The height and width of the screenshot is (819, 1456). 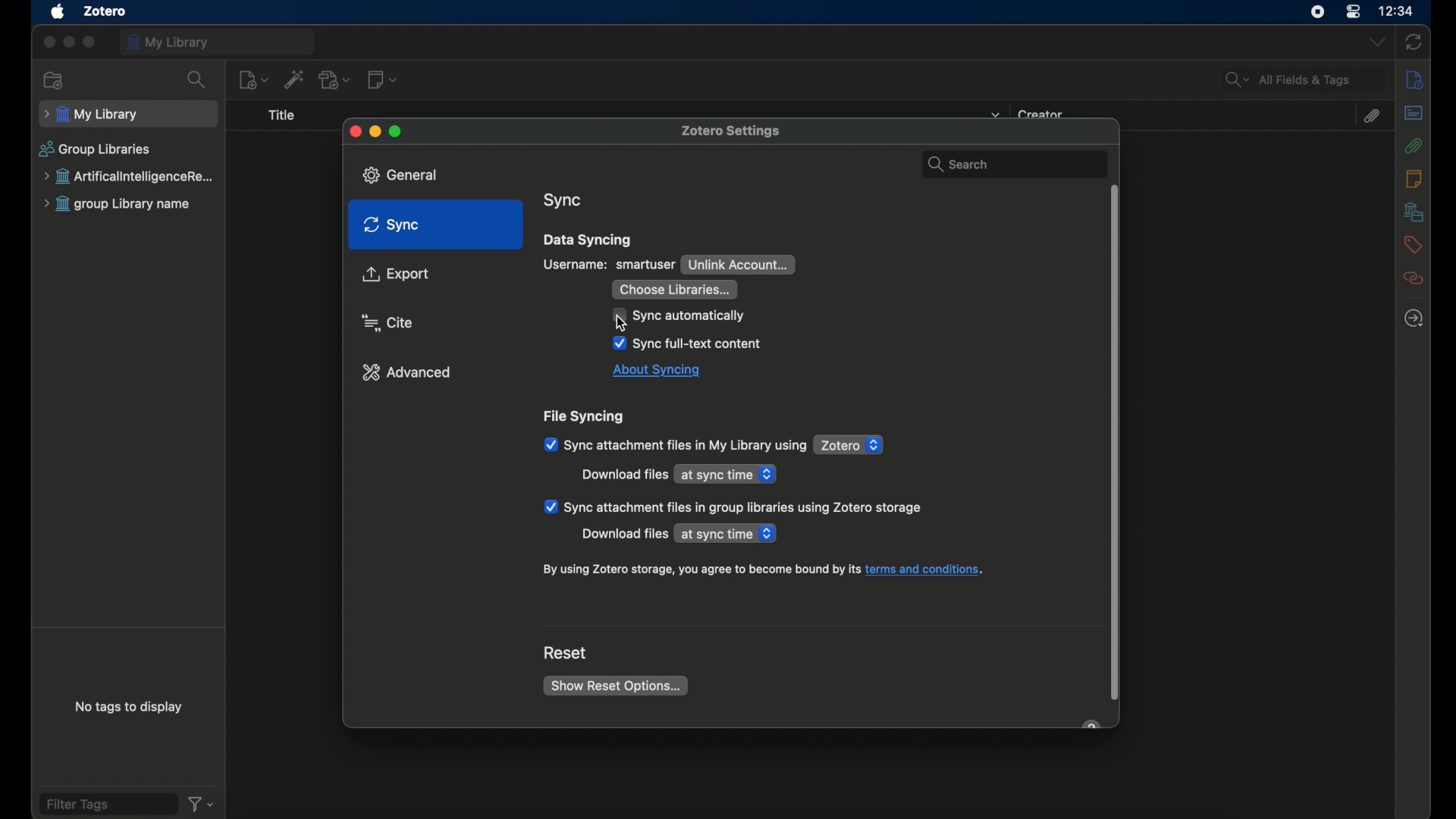 What do you see at coordinates (1413, 113) in the screenshot?
I see `abstract` at bounding box center [1413, 113].